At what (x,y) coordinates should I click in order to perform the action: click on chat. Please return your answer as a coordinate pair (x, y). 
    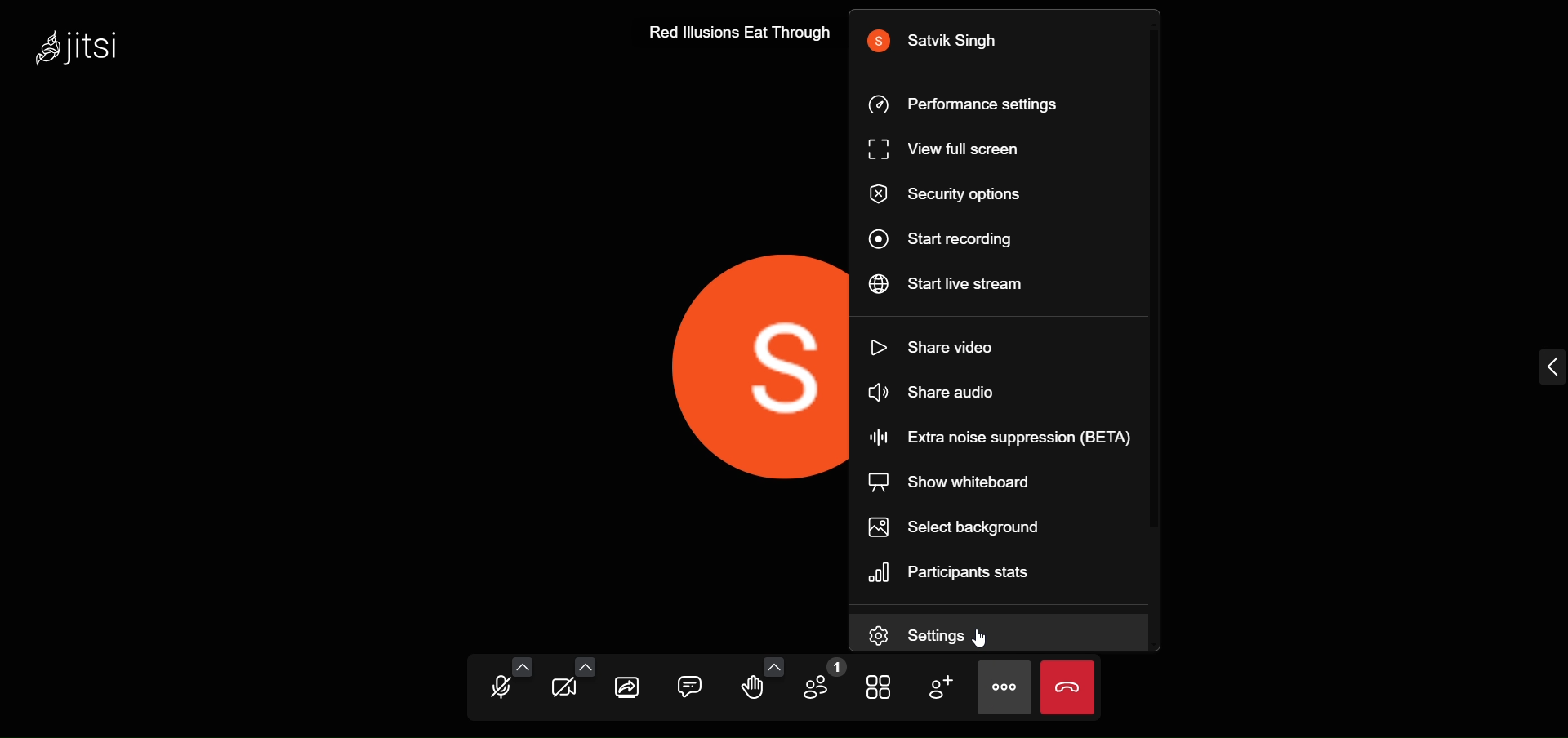
    Looking at the image, I should click on (689, 682).